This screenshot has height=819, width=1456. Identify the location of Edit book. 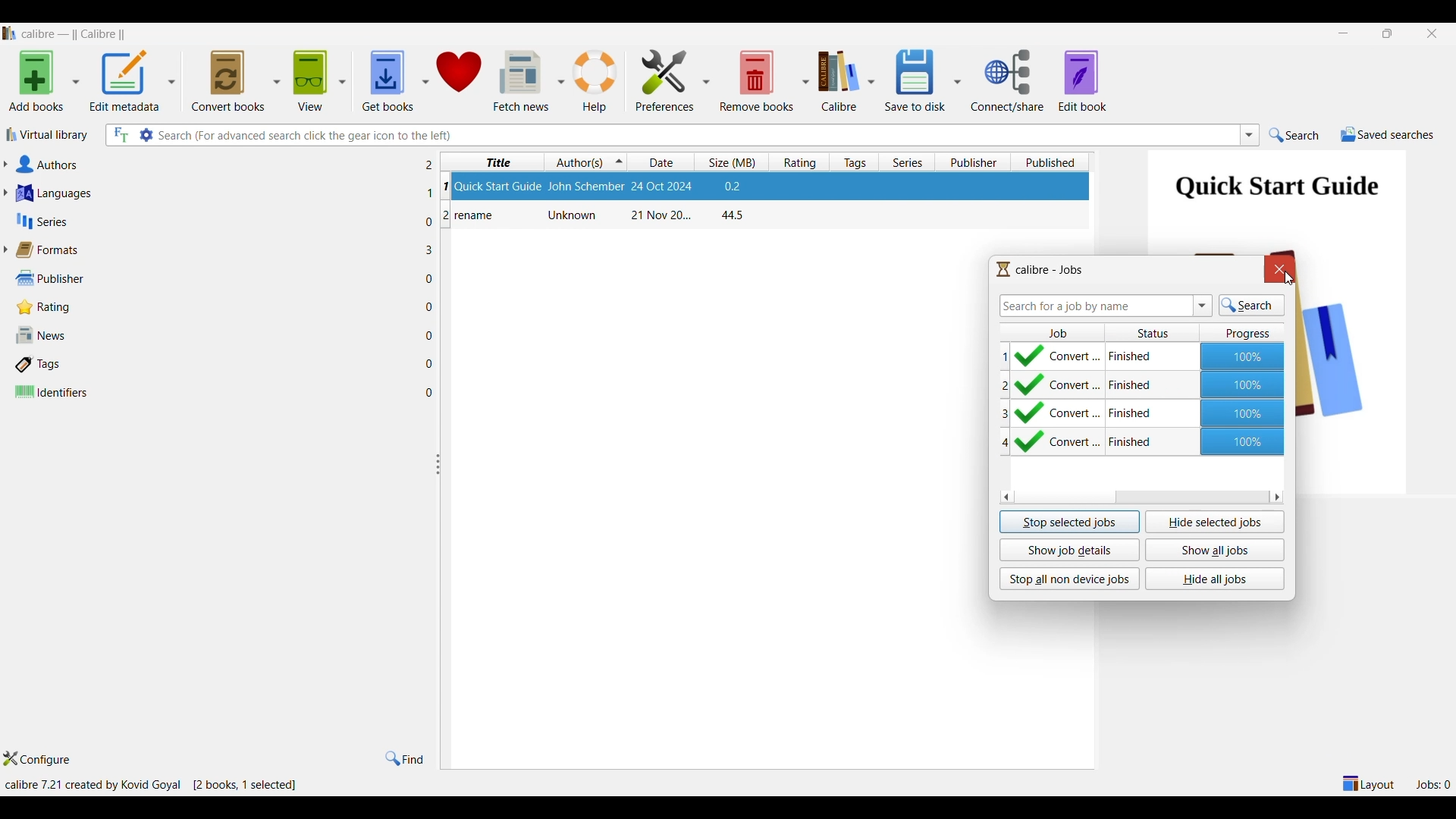
(1082, 81).